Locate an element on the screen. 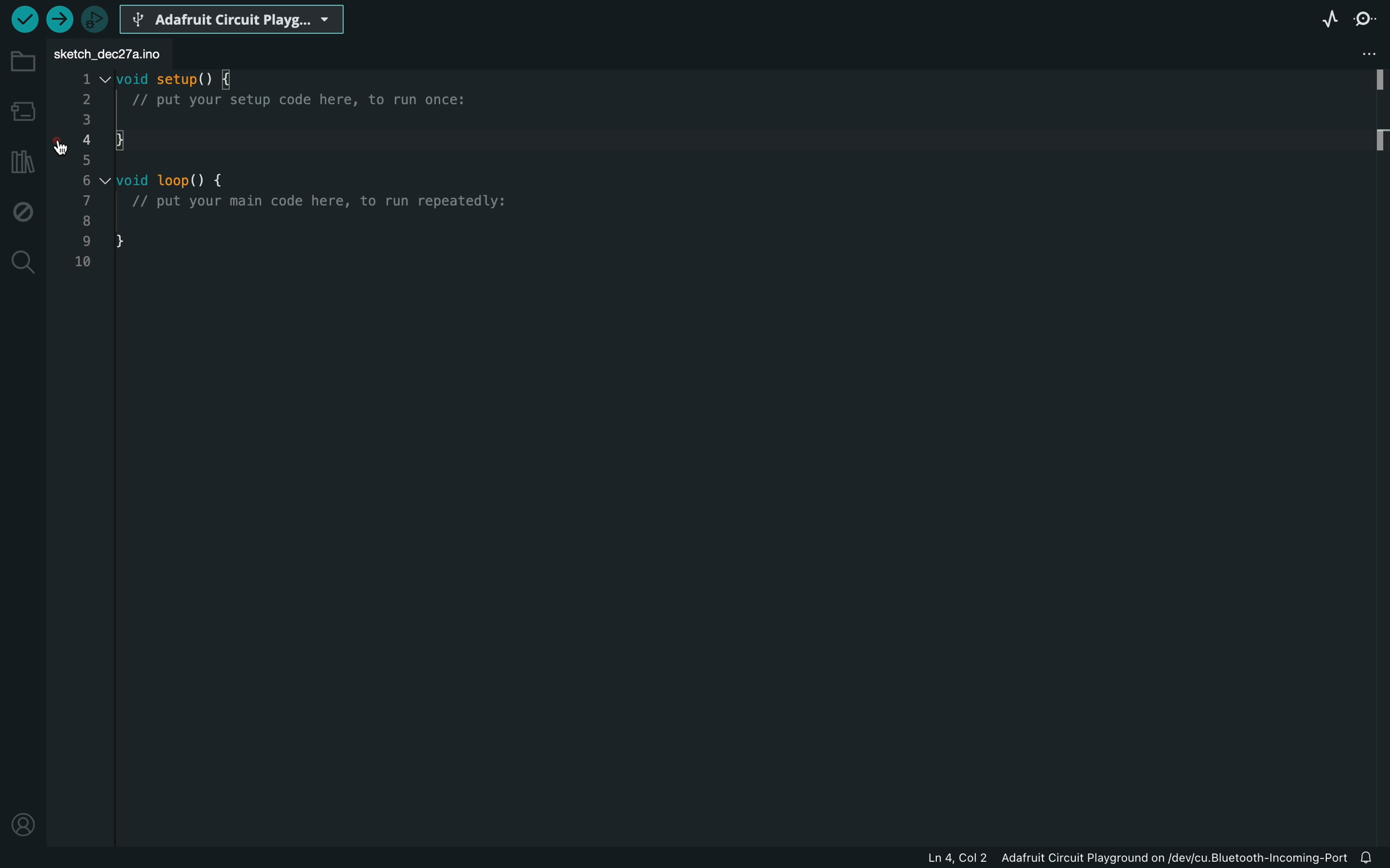  debug is located at coordinates (21, 211).